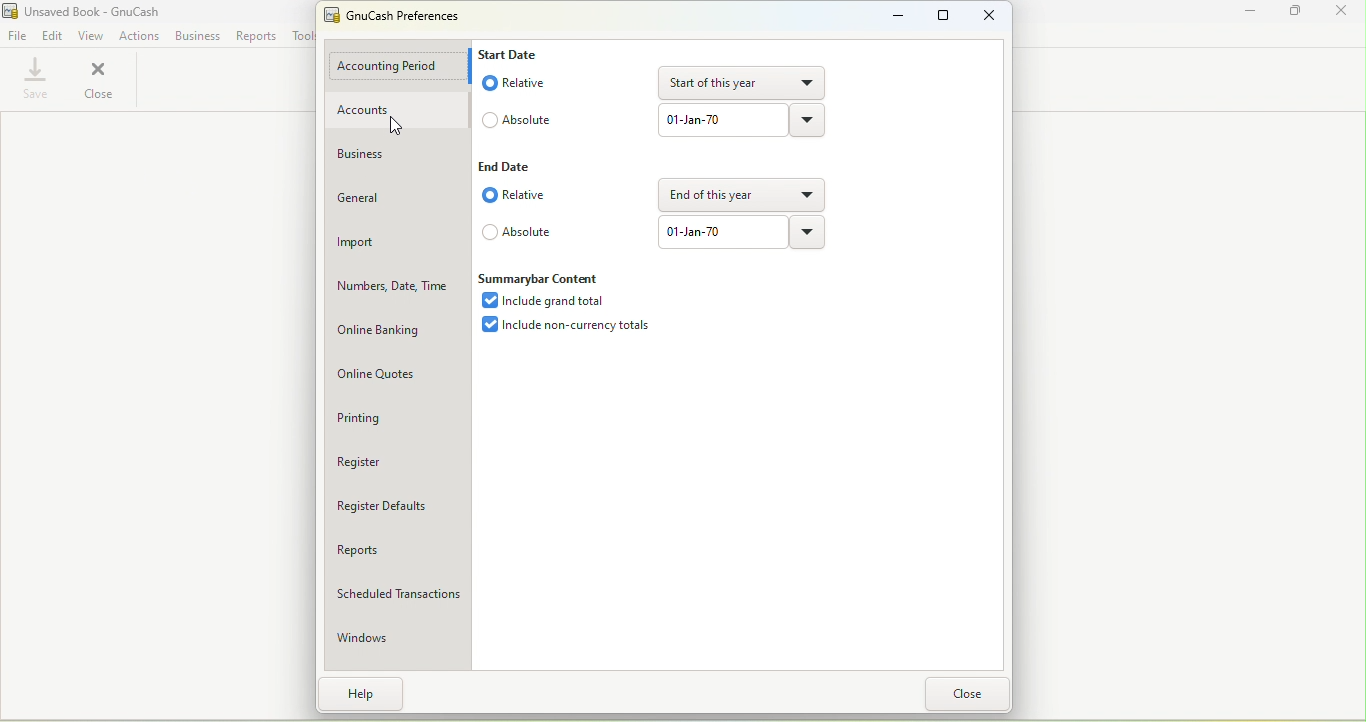 This screenshot has width=1366, height=722. Describe the element at coordinates (512, 52) in the screenshot. I see `Start date` at that location.